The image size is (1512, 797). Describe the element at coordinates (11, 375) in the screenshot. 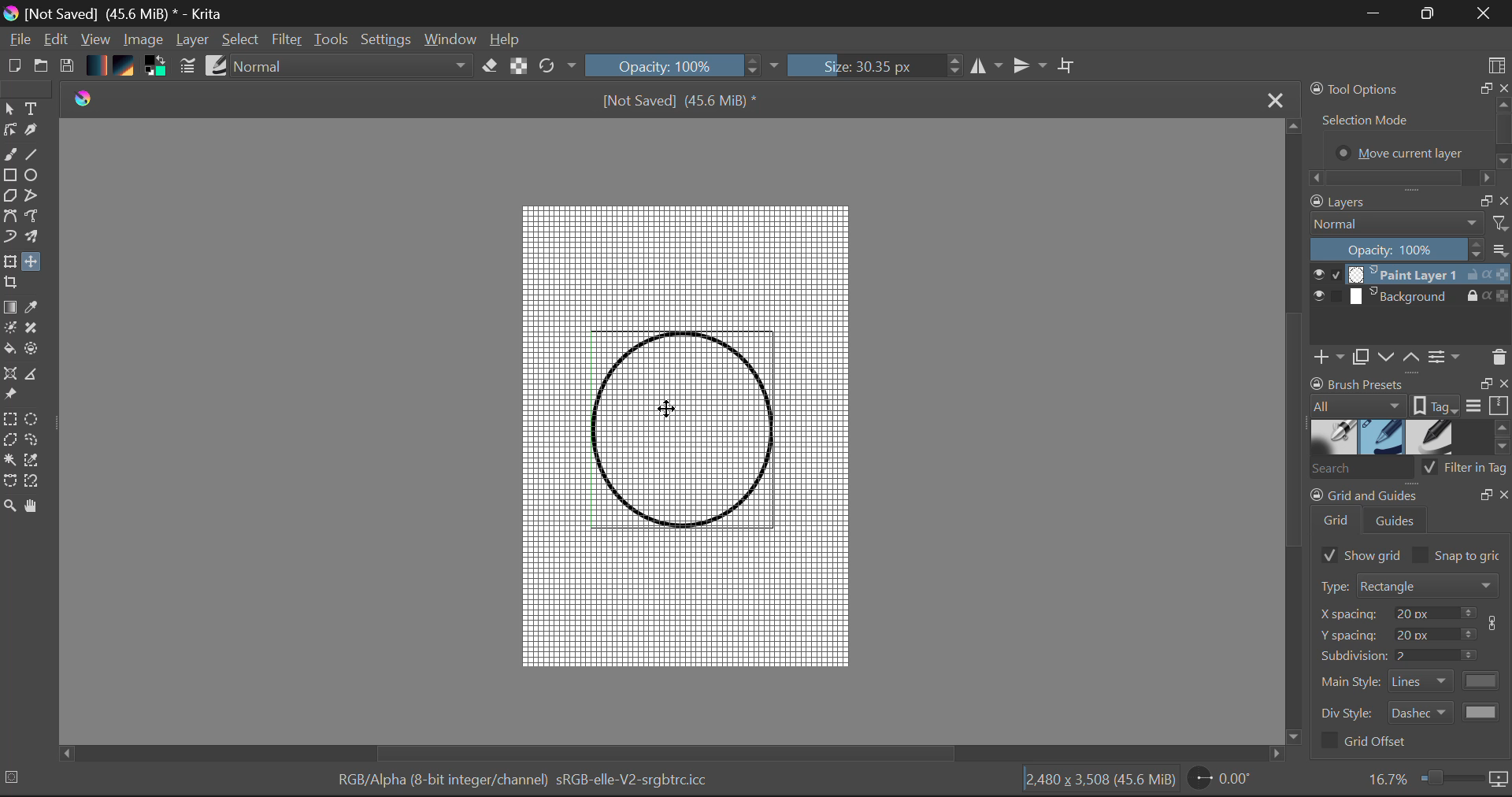

I see `Assistant Tool` at that location.